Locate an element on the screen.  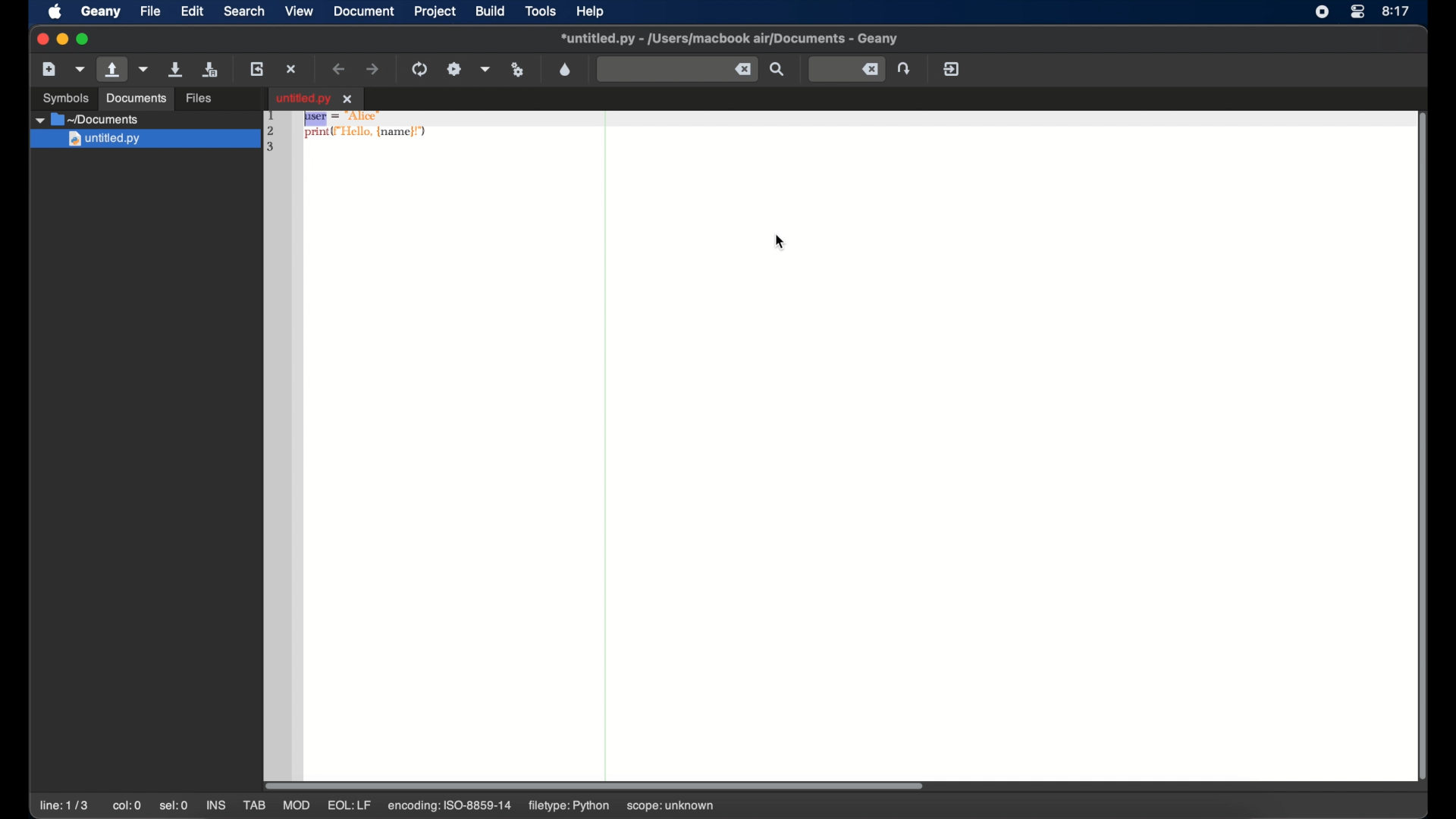
choose more build actions is located at coordinates (486, 69).